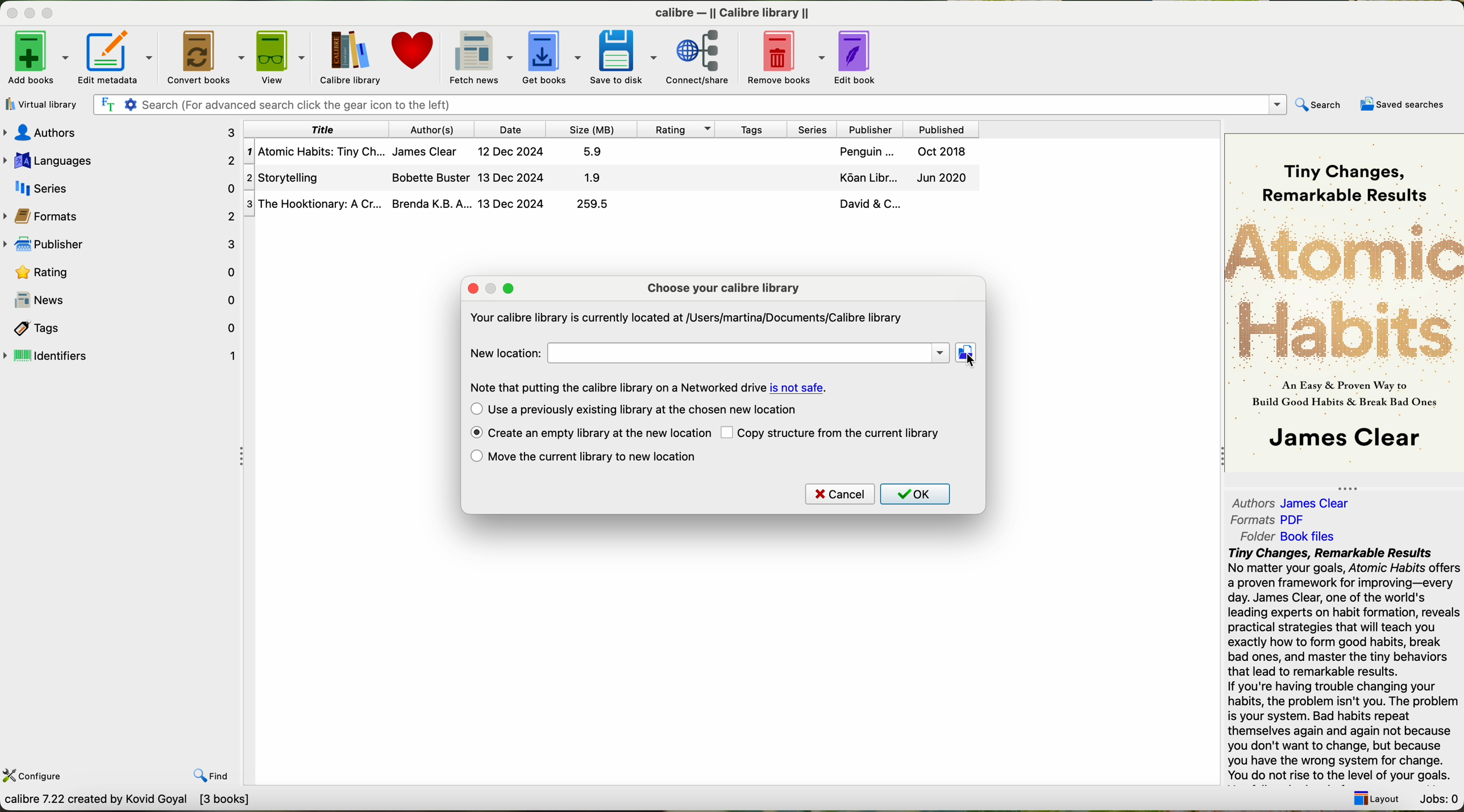 This screenshot has height=812, width=1464. I want to click on tags, so click(122, 327).